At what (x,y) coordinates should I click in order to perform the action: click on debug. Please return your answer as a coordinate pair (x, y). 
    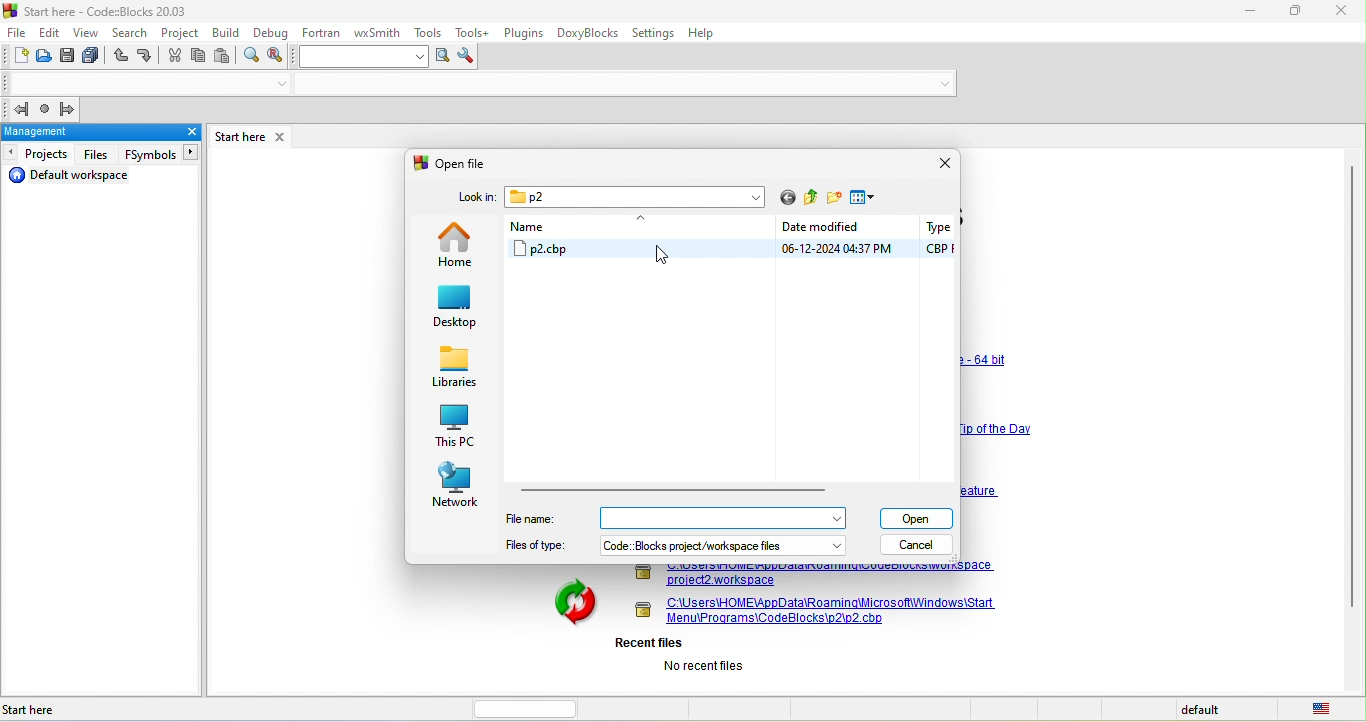
    Looking at the image, I should click on (272, 34).